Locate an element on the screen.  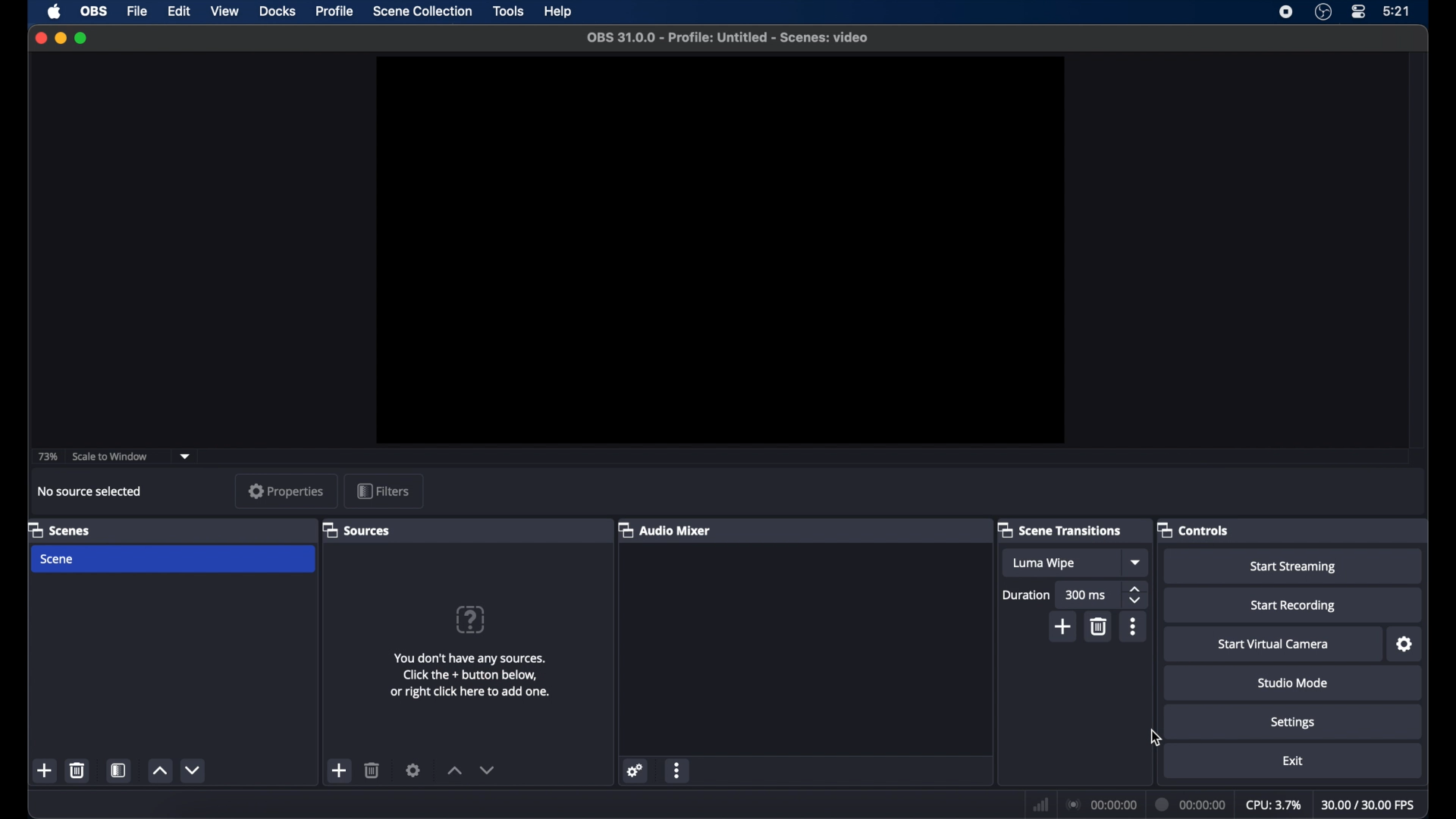
cpu is located at coordinates (1272, 805).